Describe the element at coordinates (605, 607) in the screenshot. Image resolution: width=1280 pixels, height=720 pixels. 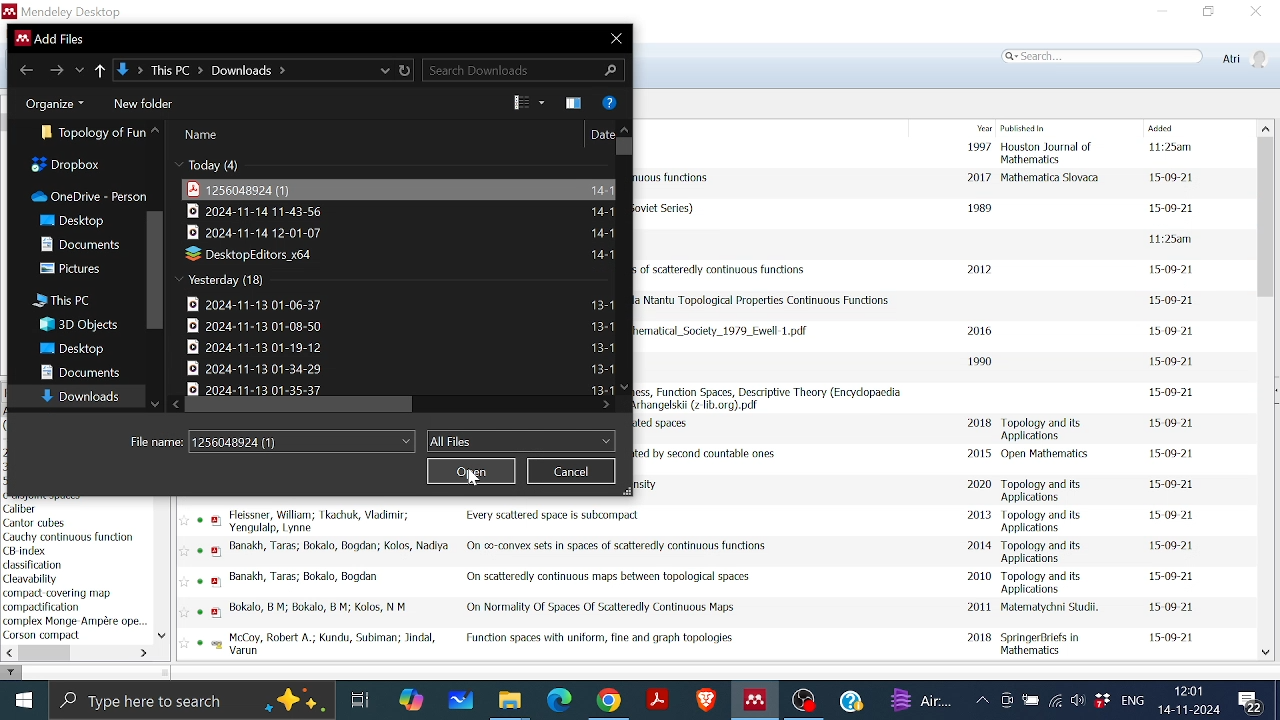
I see `Title` at that location.